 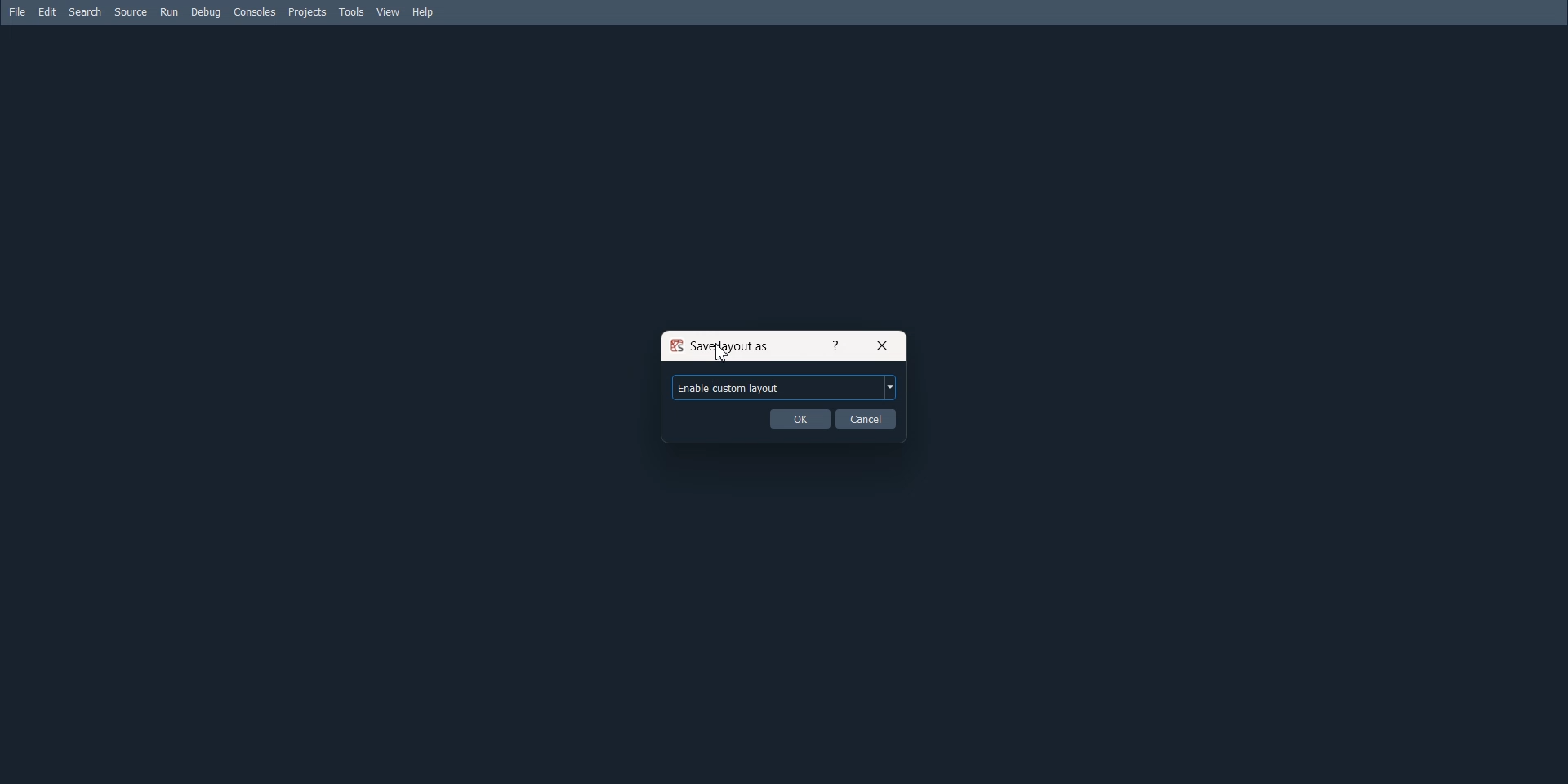 What do you see at coordinates (131, 11) in the screenshot?
I see `Source` at bounding box center [131, 11].